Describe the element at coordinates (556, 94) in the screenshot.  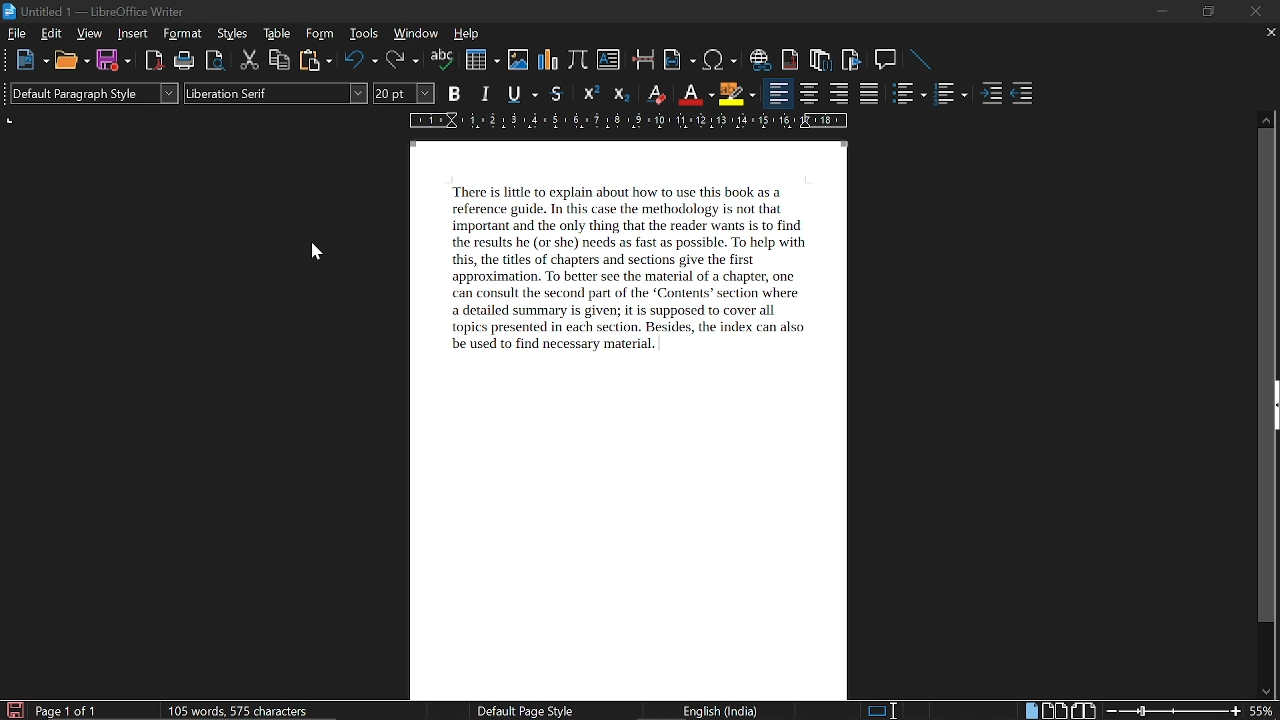
I see `strikethrough` at that location.